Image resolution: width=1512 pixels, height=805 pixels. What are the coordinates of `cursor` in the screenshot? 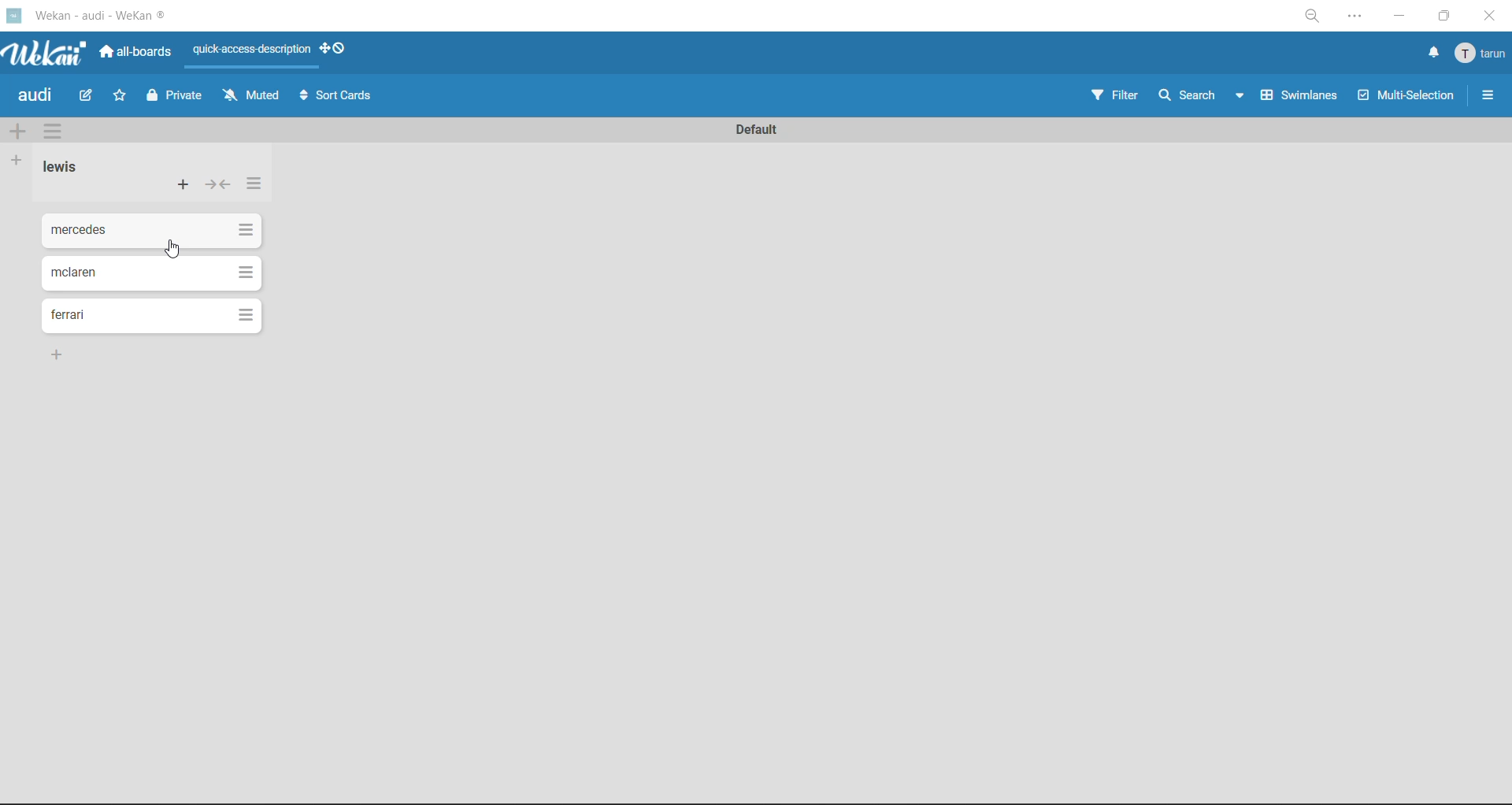 It's located at (176, 250).